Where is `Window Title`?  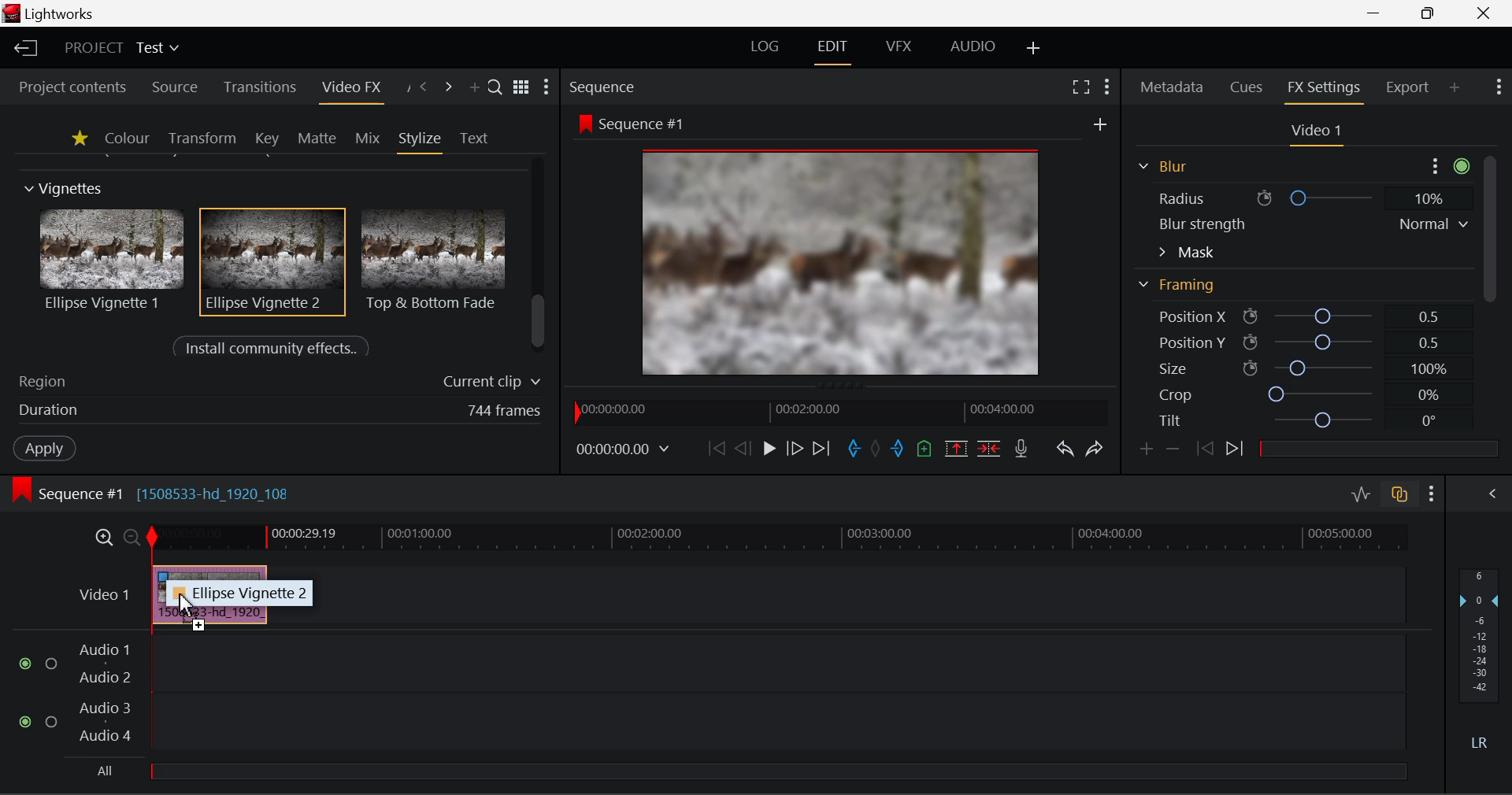 Window Title is located at coordinates (54, 14).